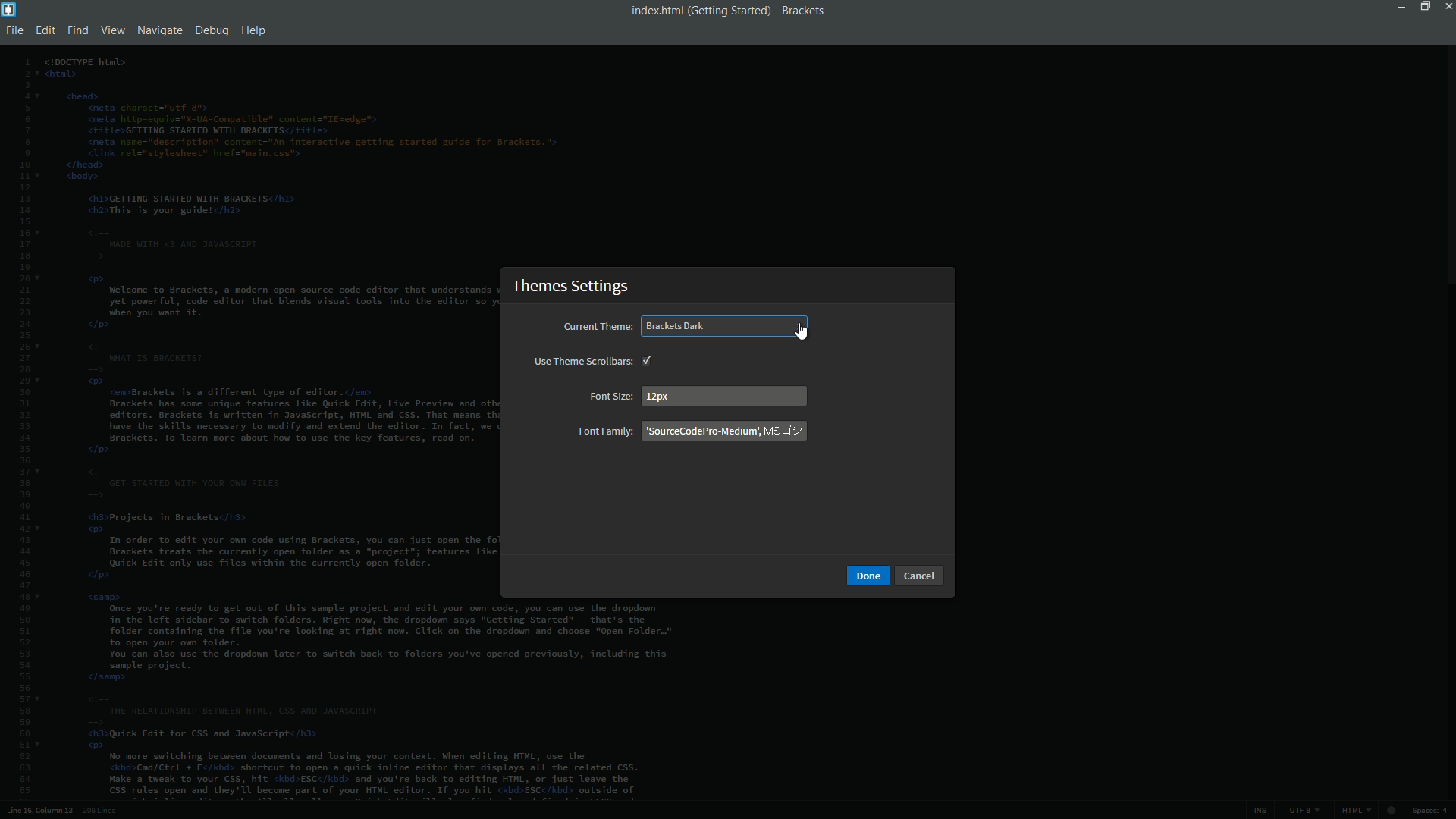 The width and height of the screenshot is (1456, 819). What do you see at coordinates (41, 811) in the screenshot?
I see `cursor position` at bounding box center [41, 811].